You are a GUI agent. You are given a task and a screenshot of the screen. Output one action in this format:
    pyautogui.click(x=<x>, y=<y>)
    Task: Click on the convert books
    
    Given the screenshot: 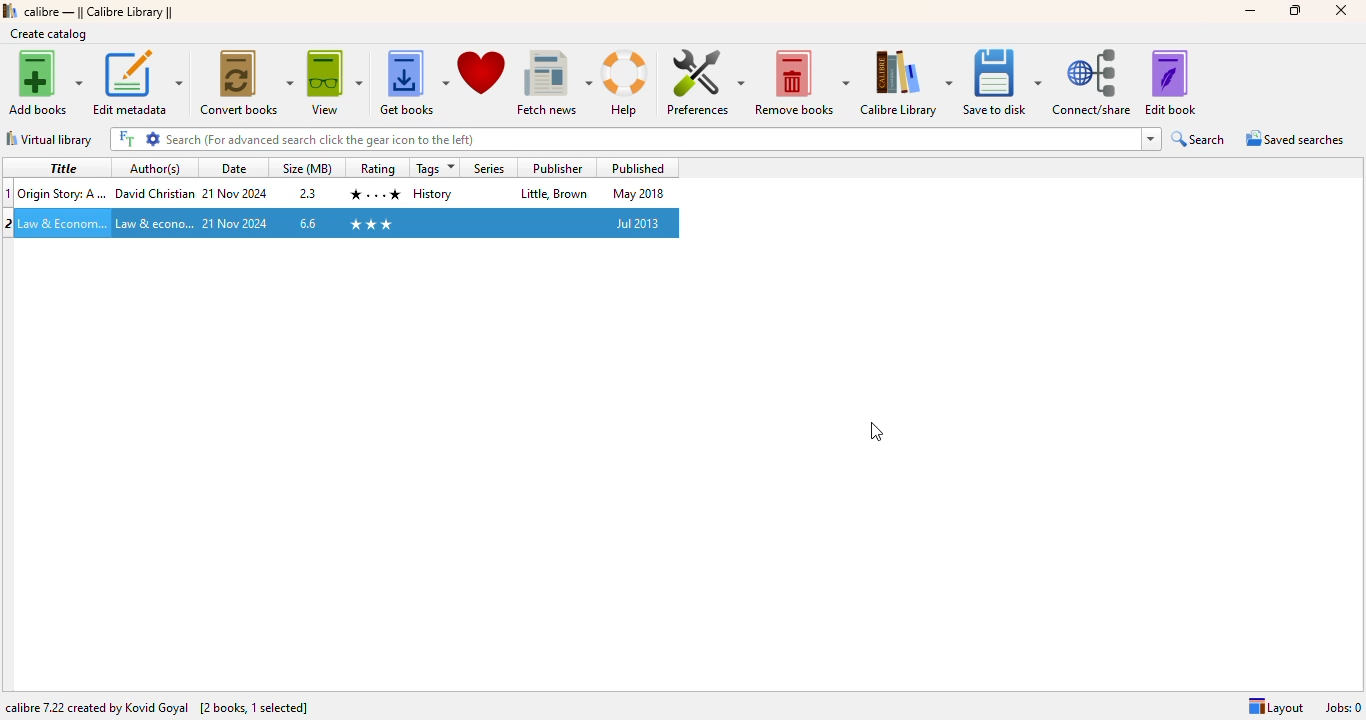 What is the action you would take?
    pyautogui.click(x=246, y=82)
    